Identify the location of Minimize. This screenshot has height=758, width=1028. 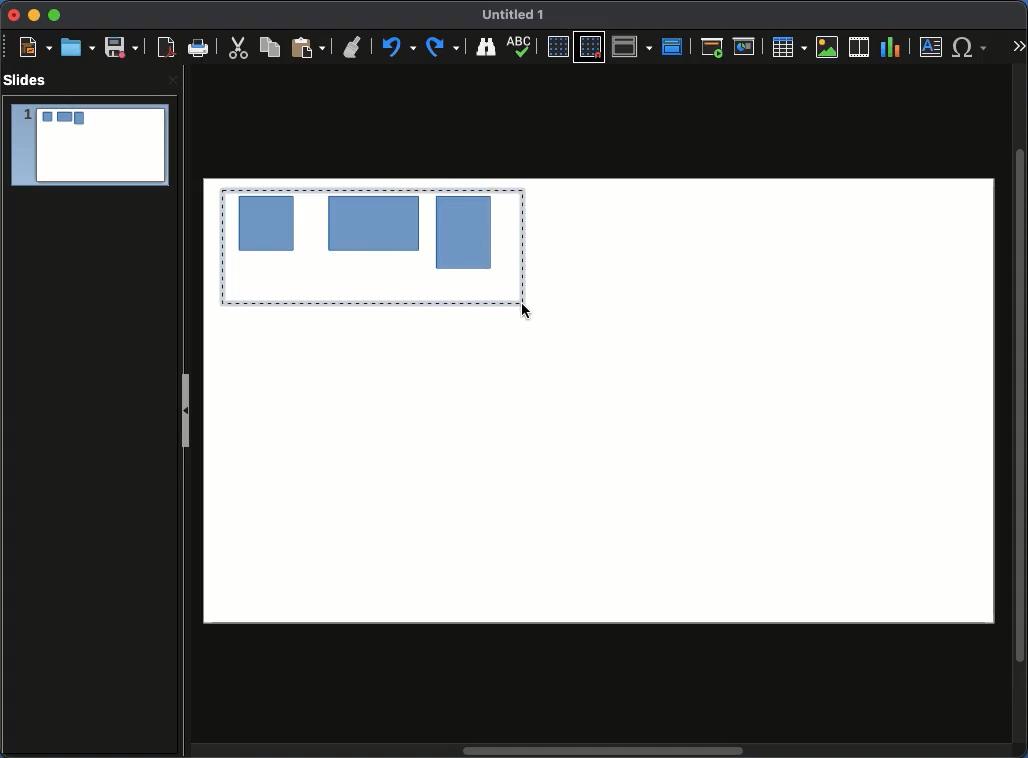
(33, 16).